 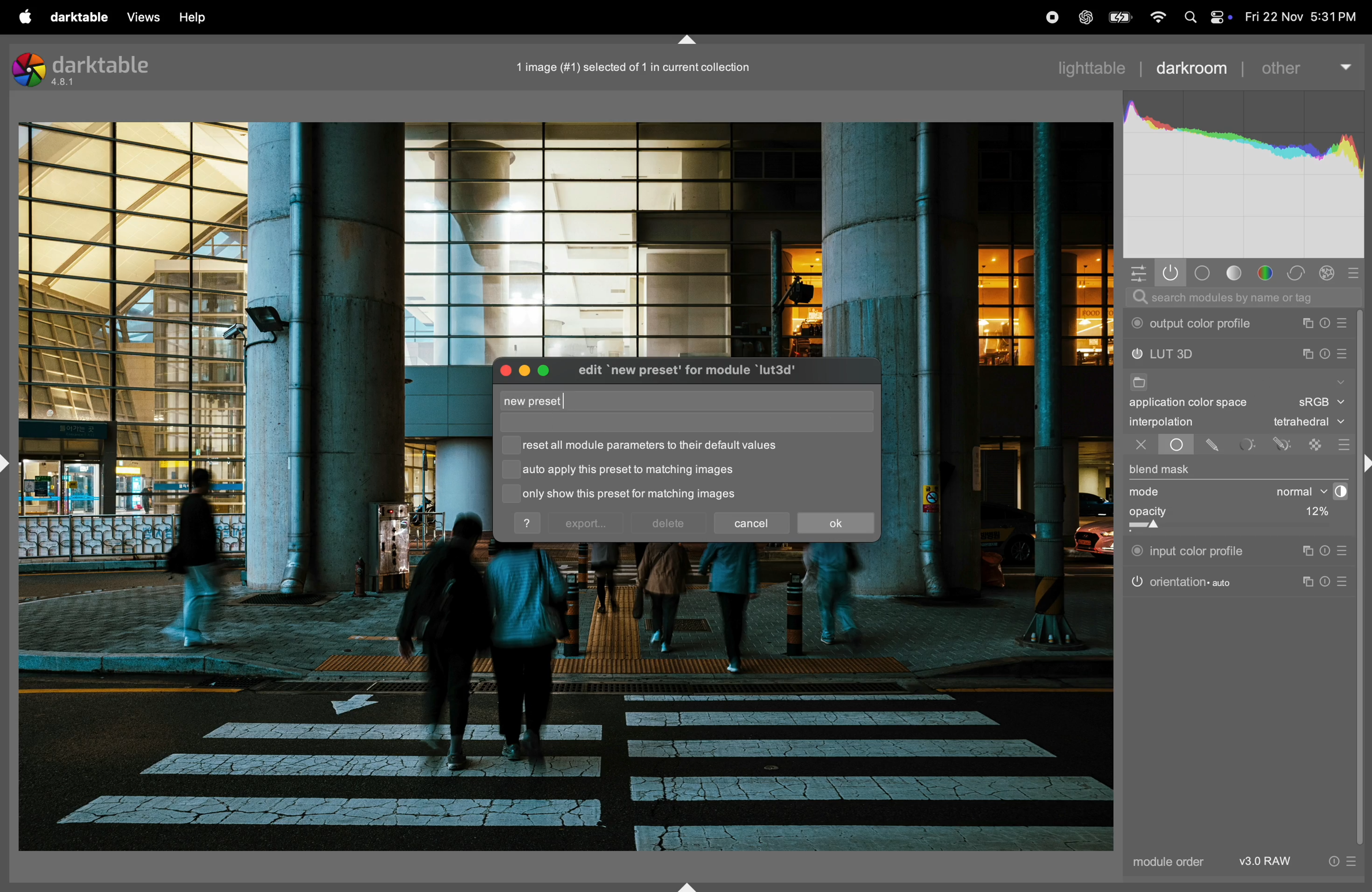 I want to click on normal, so click(x=1291, y=492).